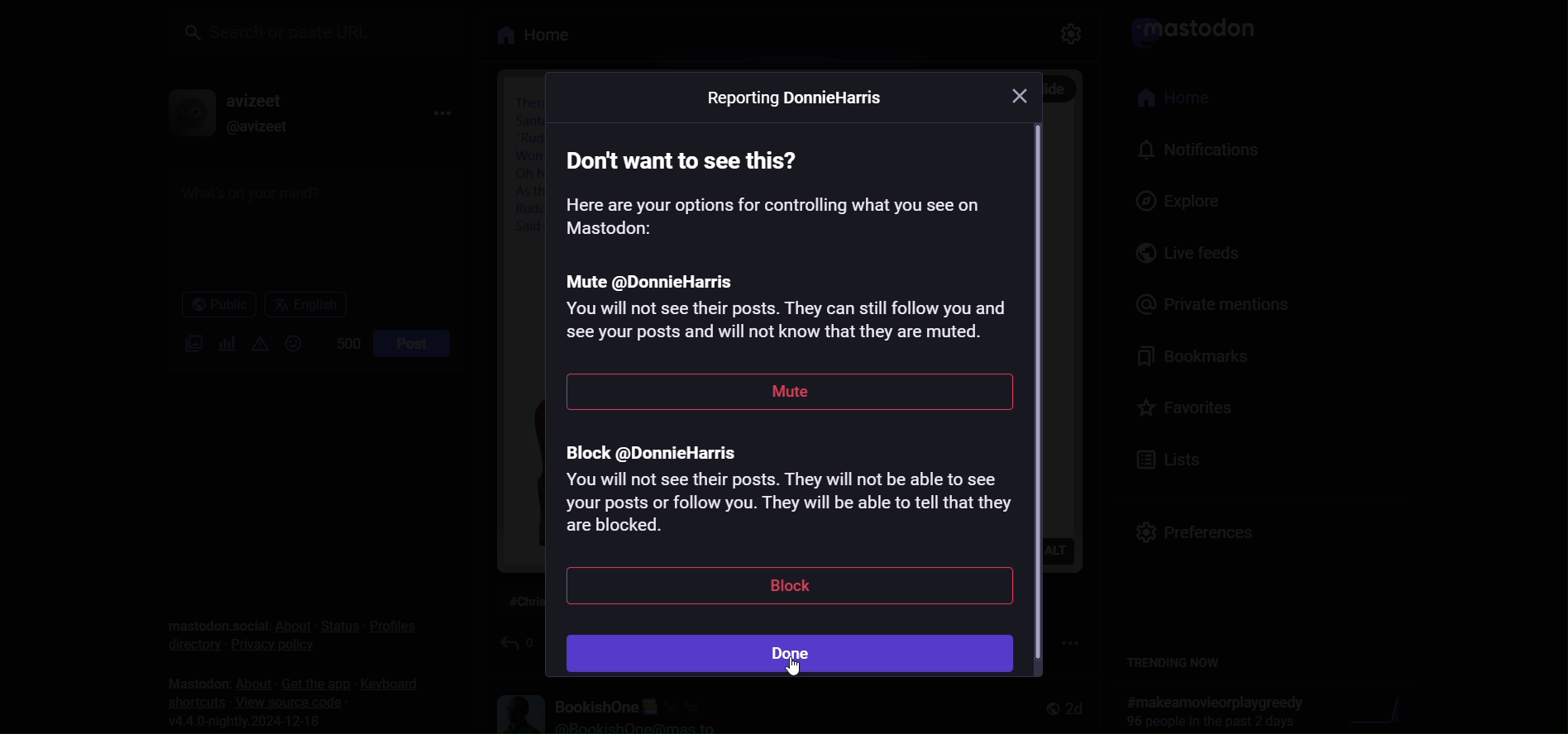 Image resolution: width=1568 pixels, height=734 pixels. Describe the element at coordinates (1174, 254) in the screenshot. I see `live feed` at that location.